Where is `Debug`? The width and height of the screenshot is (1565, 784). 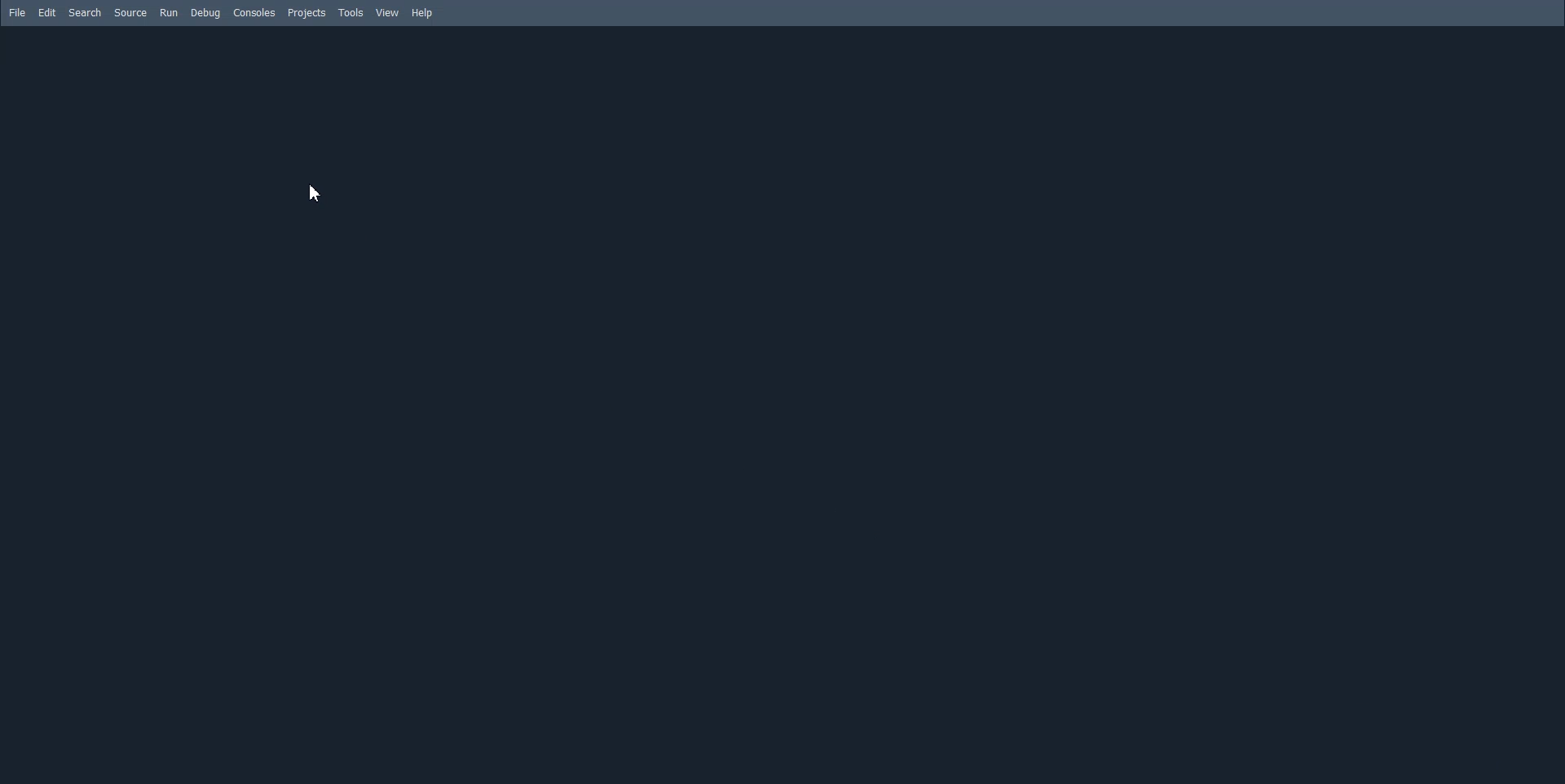 Debug is located at coordinates (204, 13).